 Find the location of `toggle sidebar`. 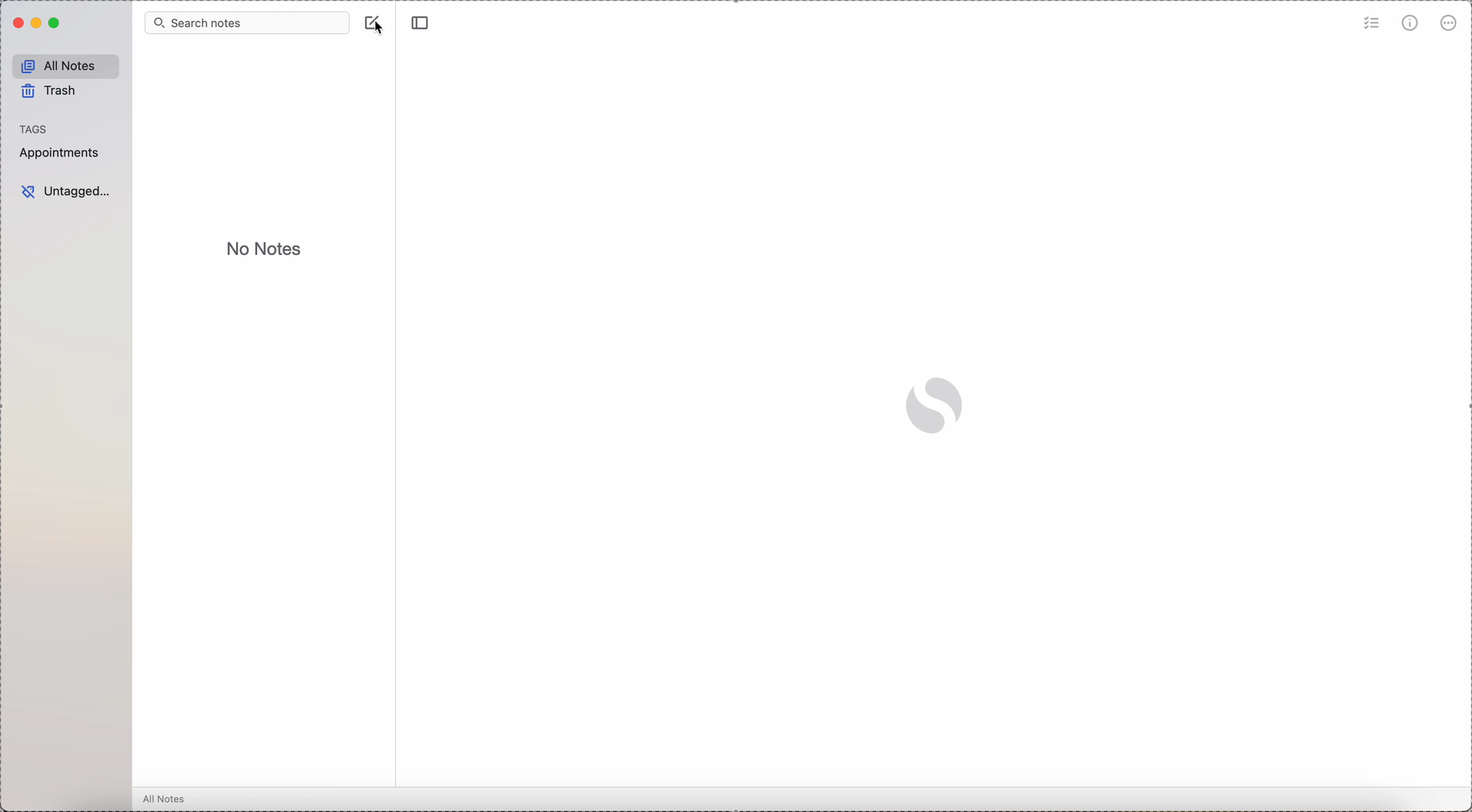

toggle sidebar is located at coordinates (422, 22).